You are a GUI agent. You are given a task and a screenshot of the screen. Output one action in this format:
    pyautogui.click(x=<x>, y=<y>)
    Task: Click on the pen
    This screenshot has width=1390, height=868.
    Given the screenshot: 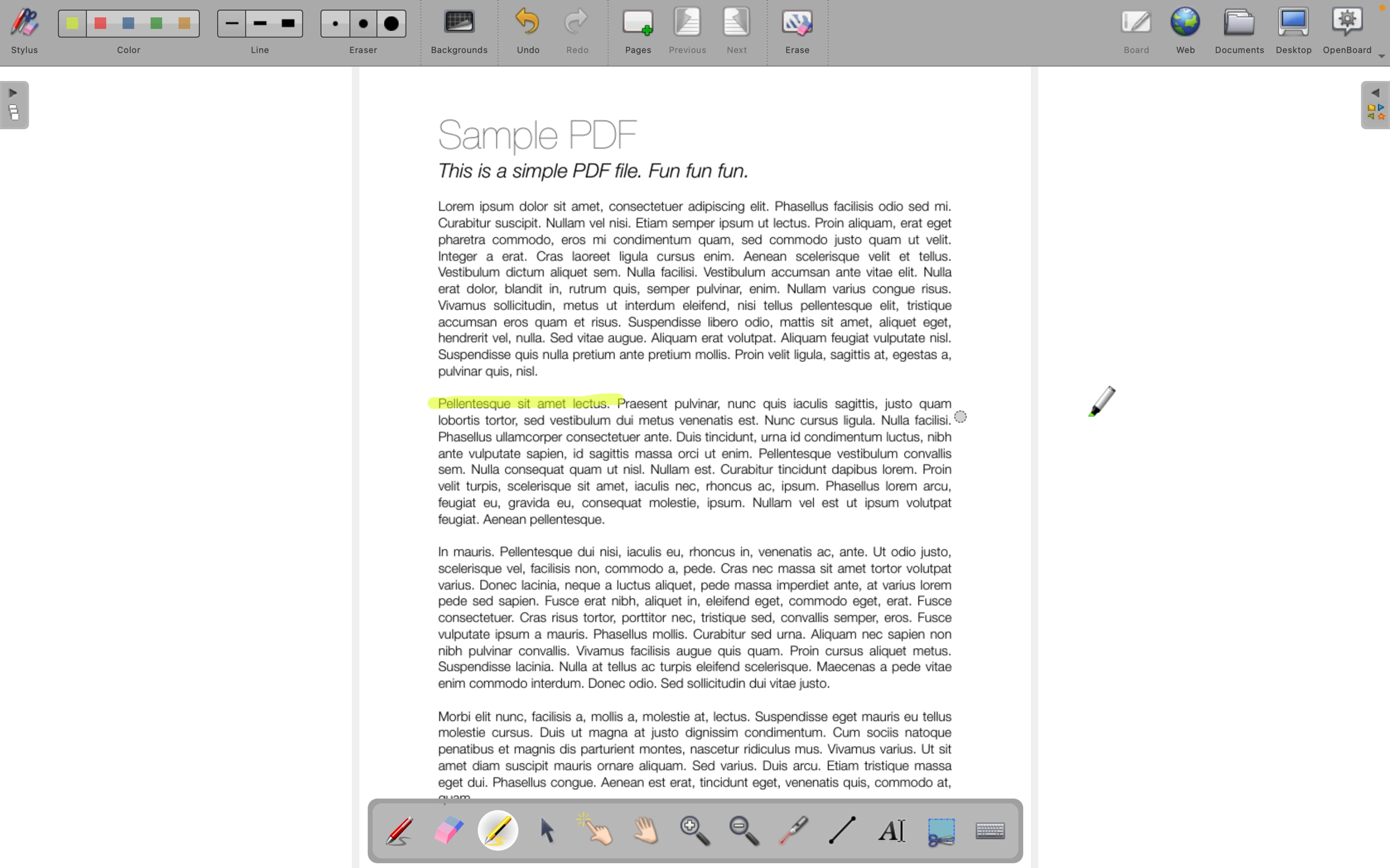 What is the action you would take?
    pyautogui.click(x=400, y=830)
    